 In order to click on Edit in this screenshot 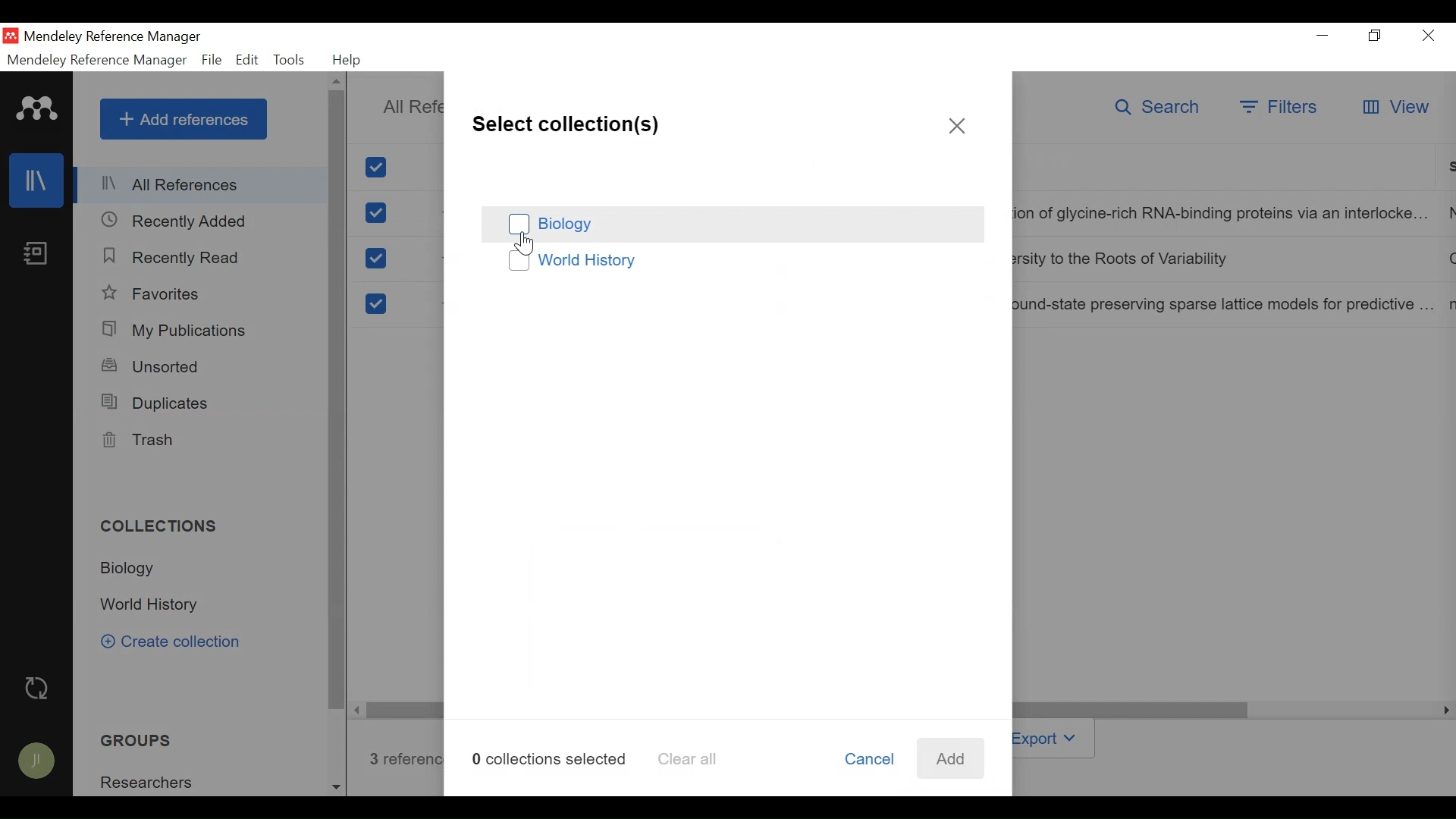, I will do `click(246, 60)`.